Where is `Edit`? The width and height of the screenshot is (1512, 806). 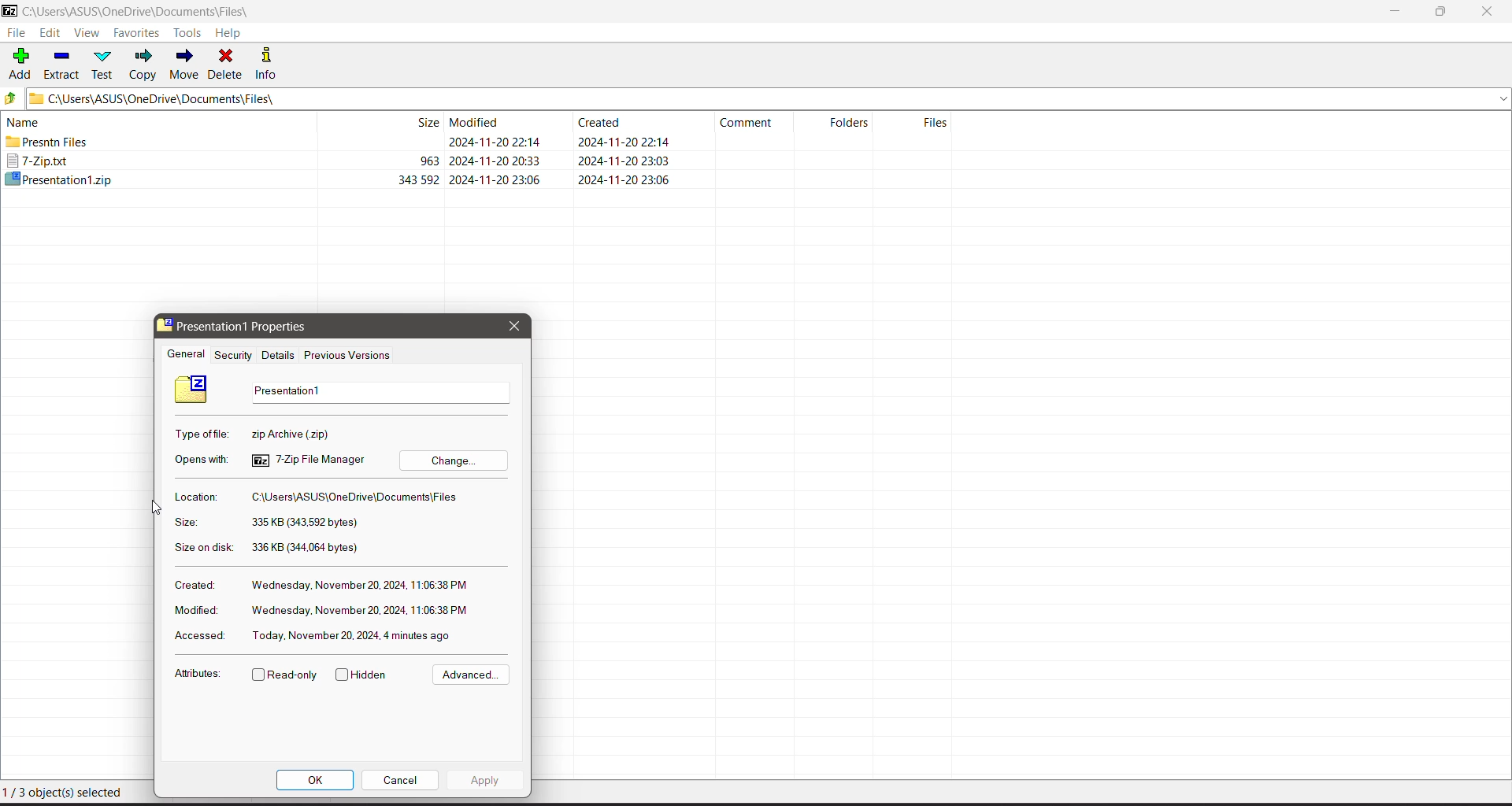 Edit is located at coordinates (52, 34).